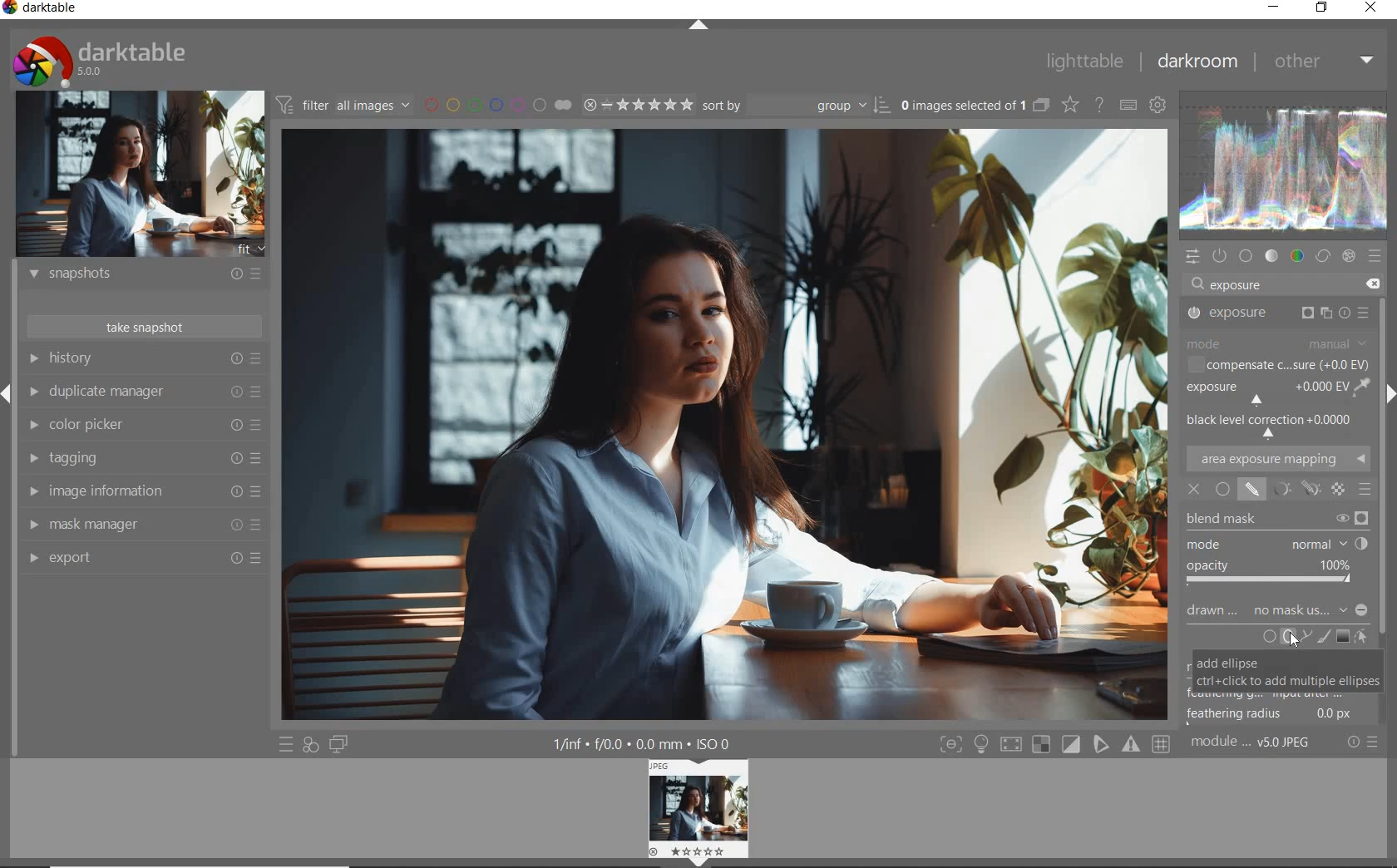 The width and height of the screenshot is (1397, 868). I want to click on selected image, so click(725, 421).